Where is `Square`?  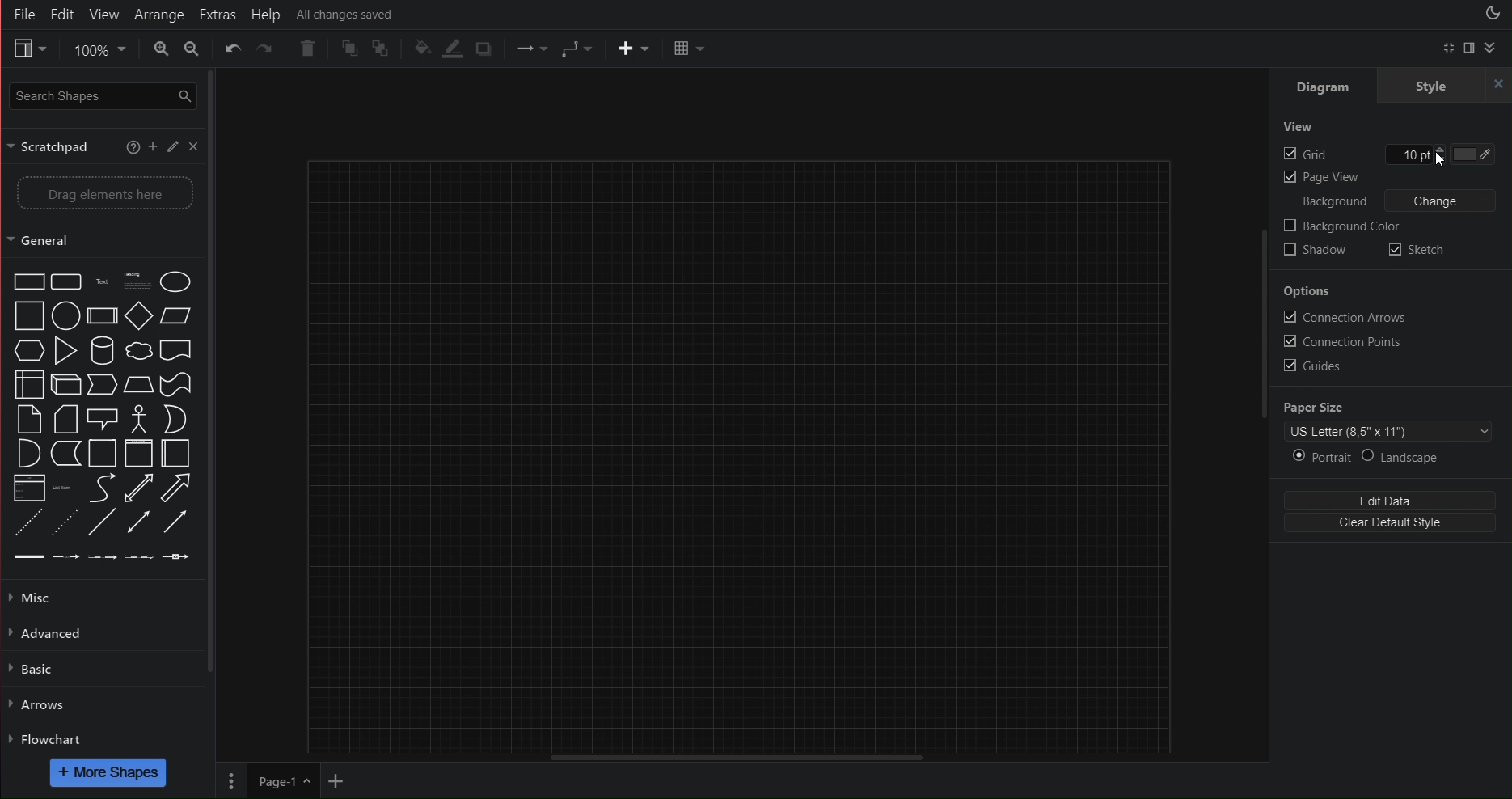
Square is located at coordinates (99, 314).